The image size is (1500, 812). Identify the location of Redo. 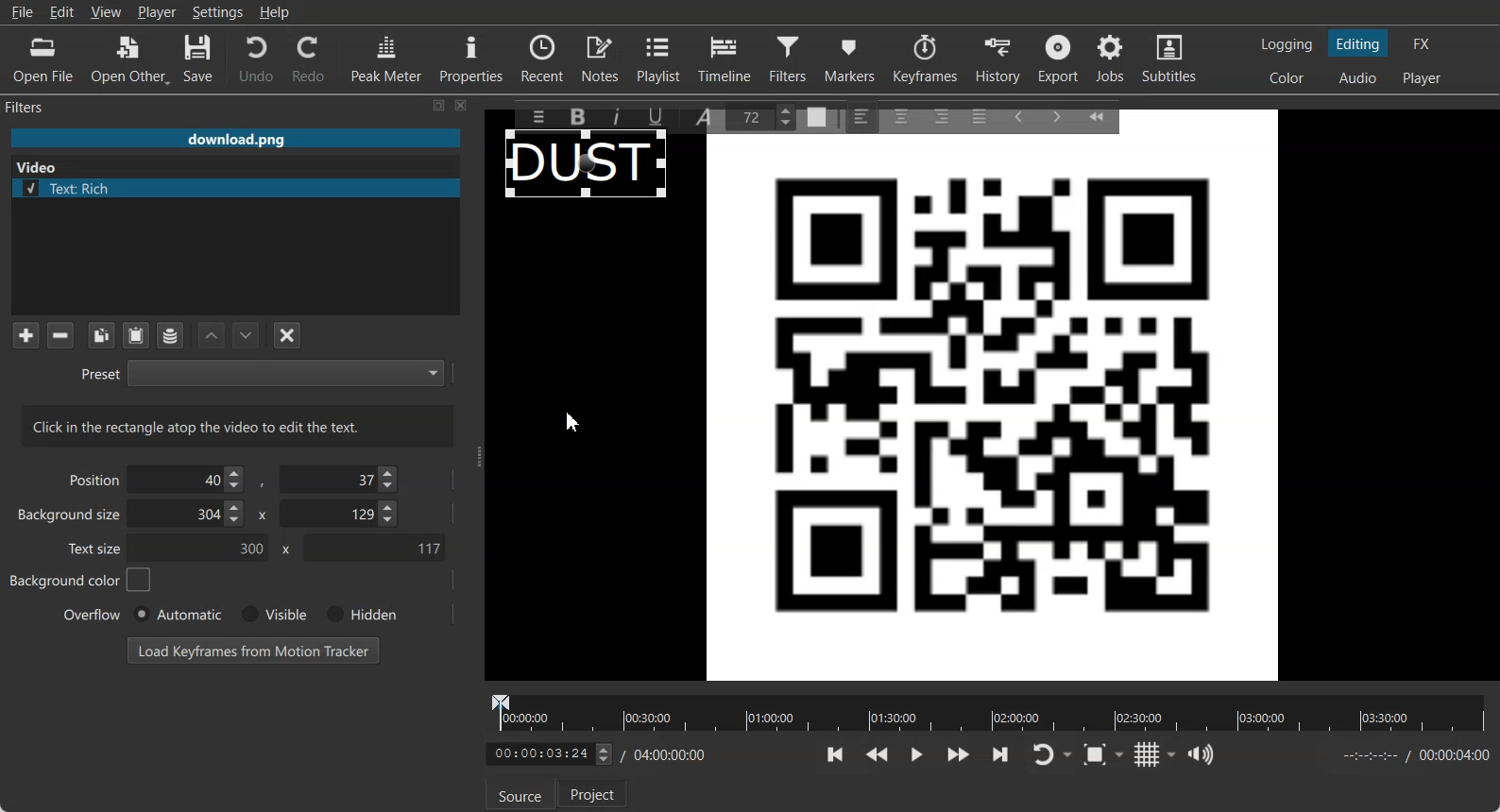
(310, 59).